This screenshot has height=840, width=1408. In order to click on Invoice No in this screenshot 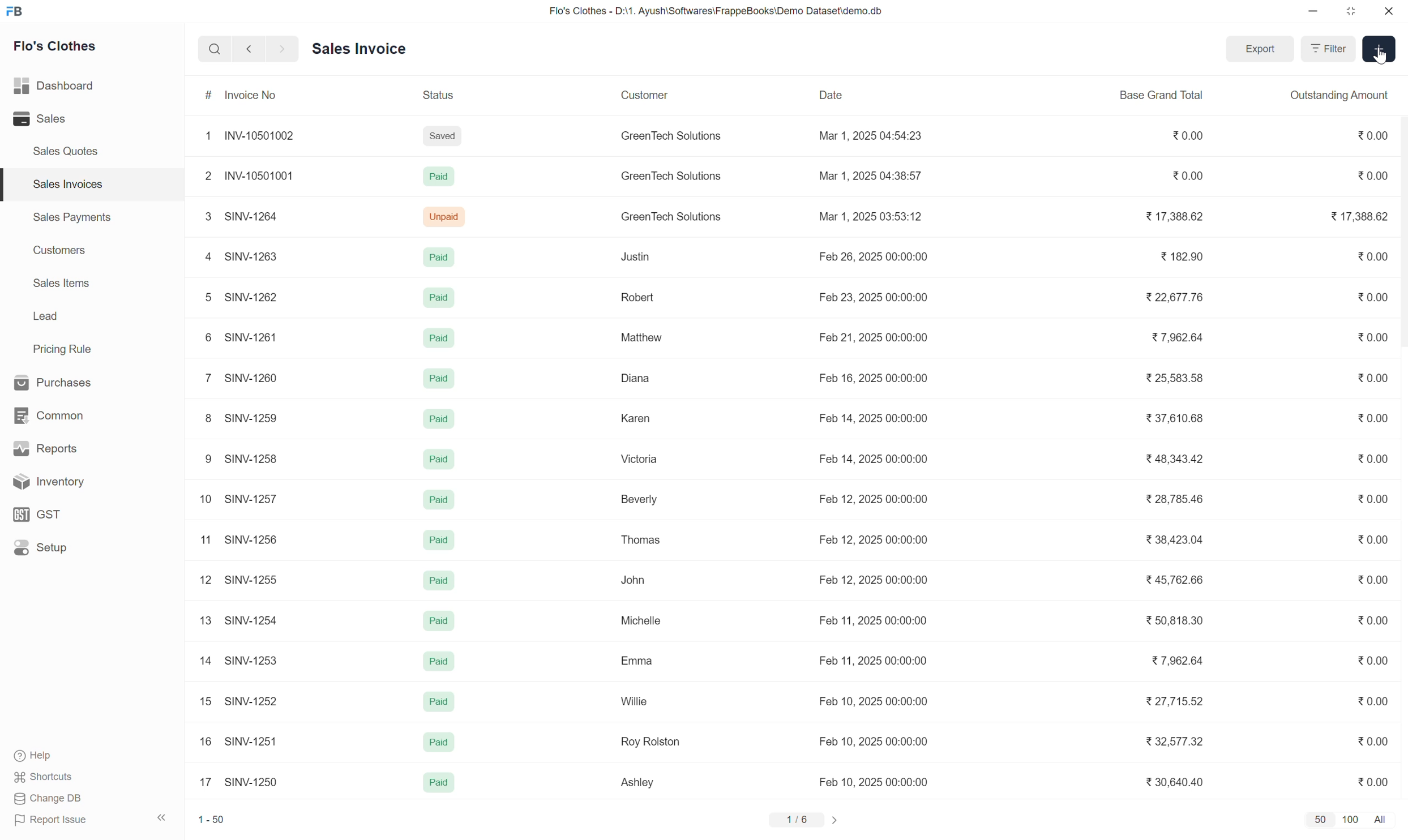, I will do `click(251, 96)`.